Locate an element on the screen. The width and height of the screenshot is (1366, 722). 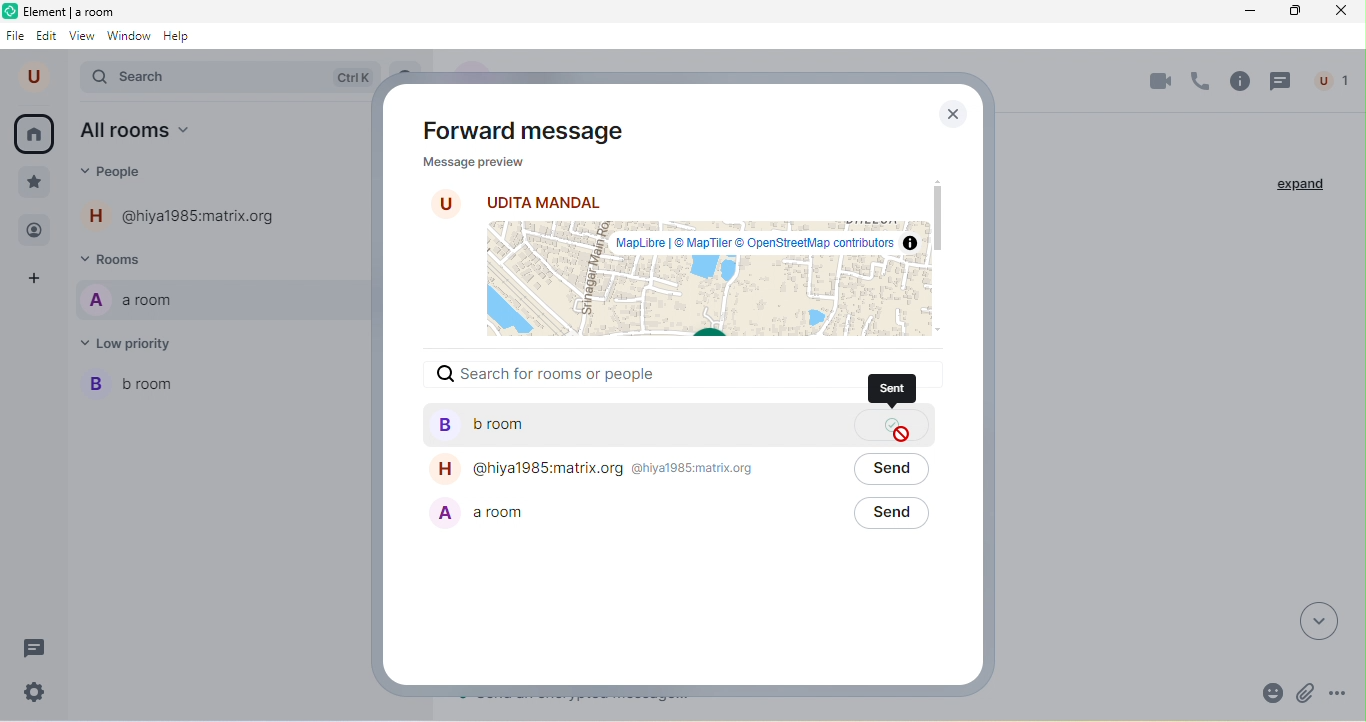
b room is located at coordinates (136, 382).